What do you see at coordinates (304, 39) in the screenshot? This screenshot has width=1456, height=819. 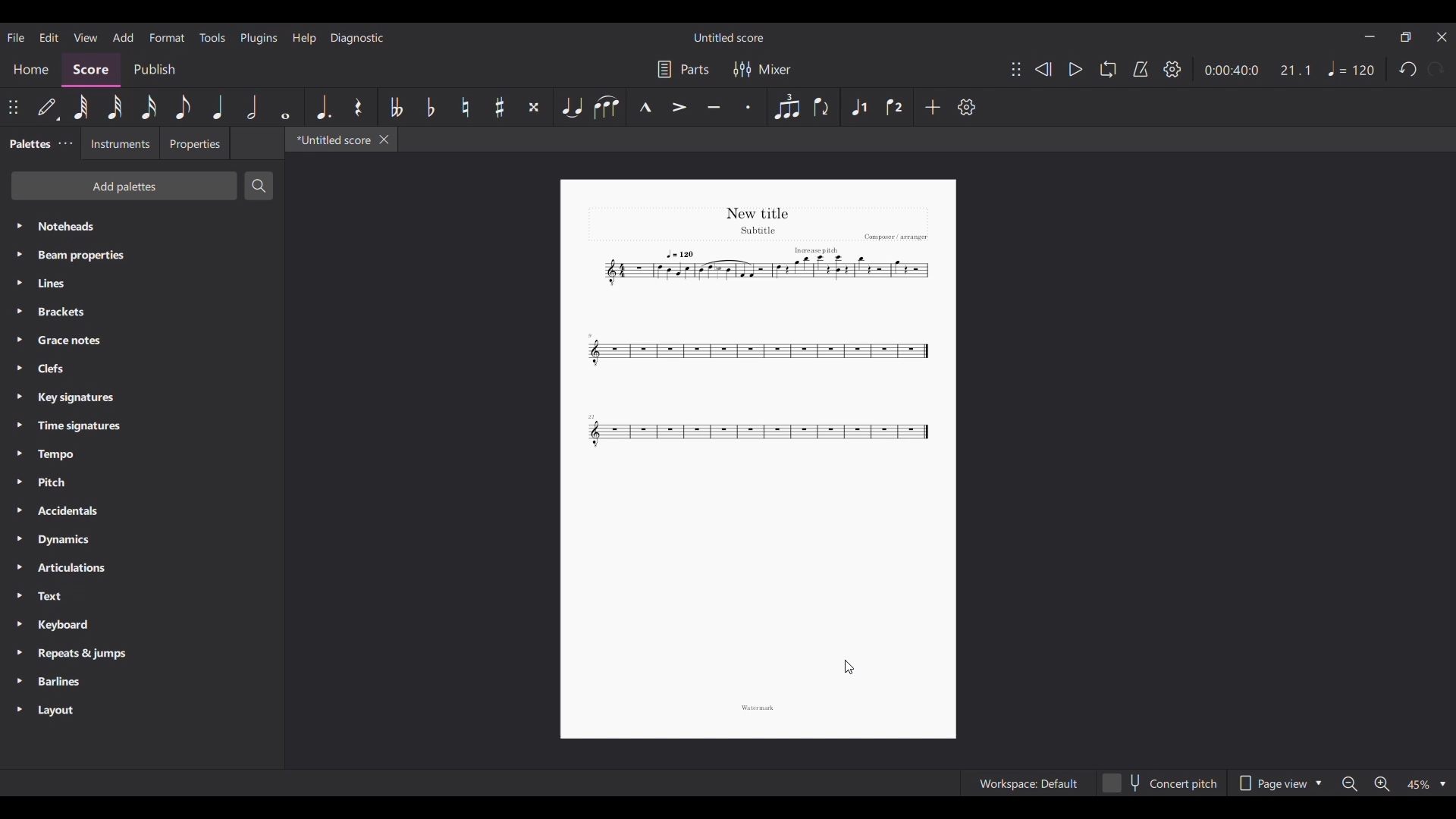 I see `Help menu` at bounding box center [304, 39].